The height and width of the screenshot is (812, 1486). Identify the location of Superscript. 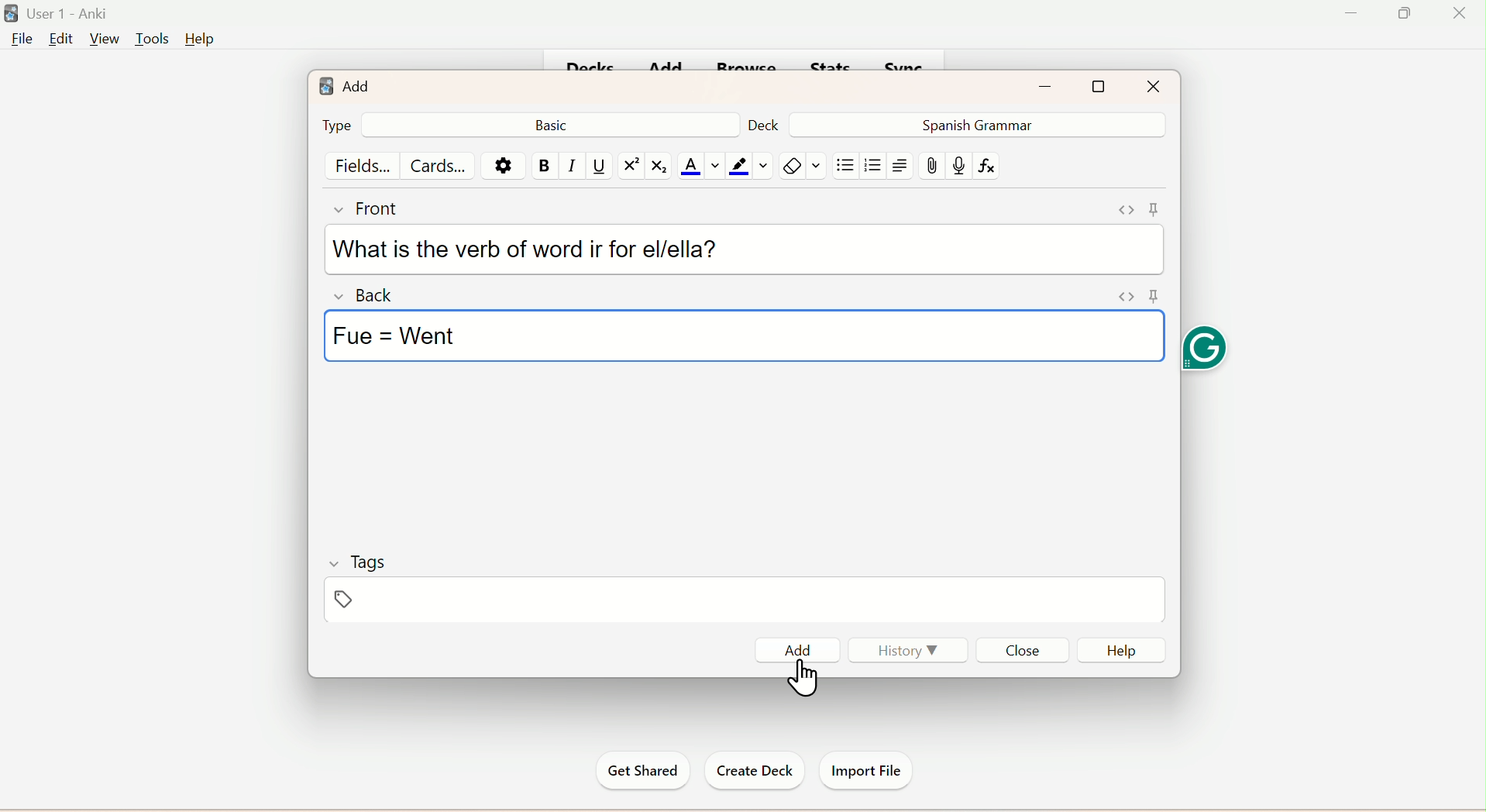
(628, 166).